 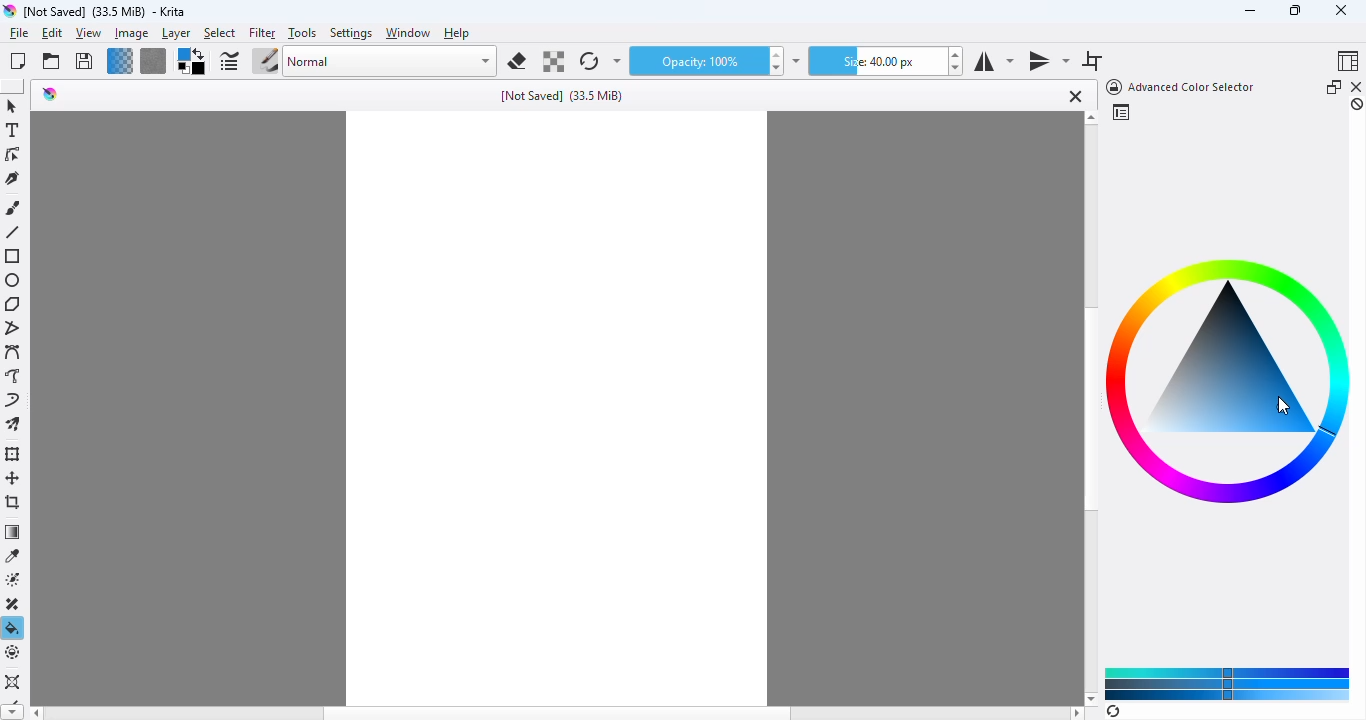 I want to click on title, so click(x=562, y=96).